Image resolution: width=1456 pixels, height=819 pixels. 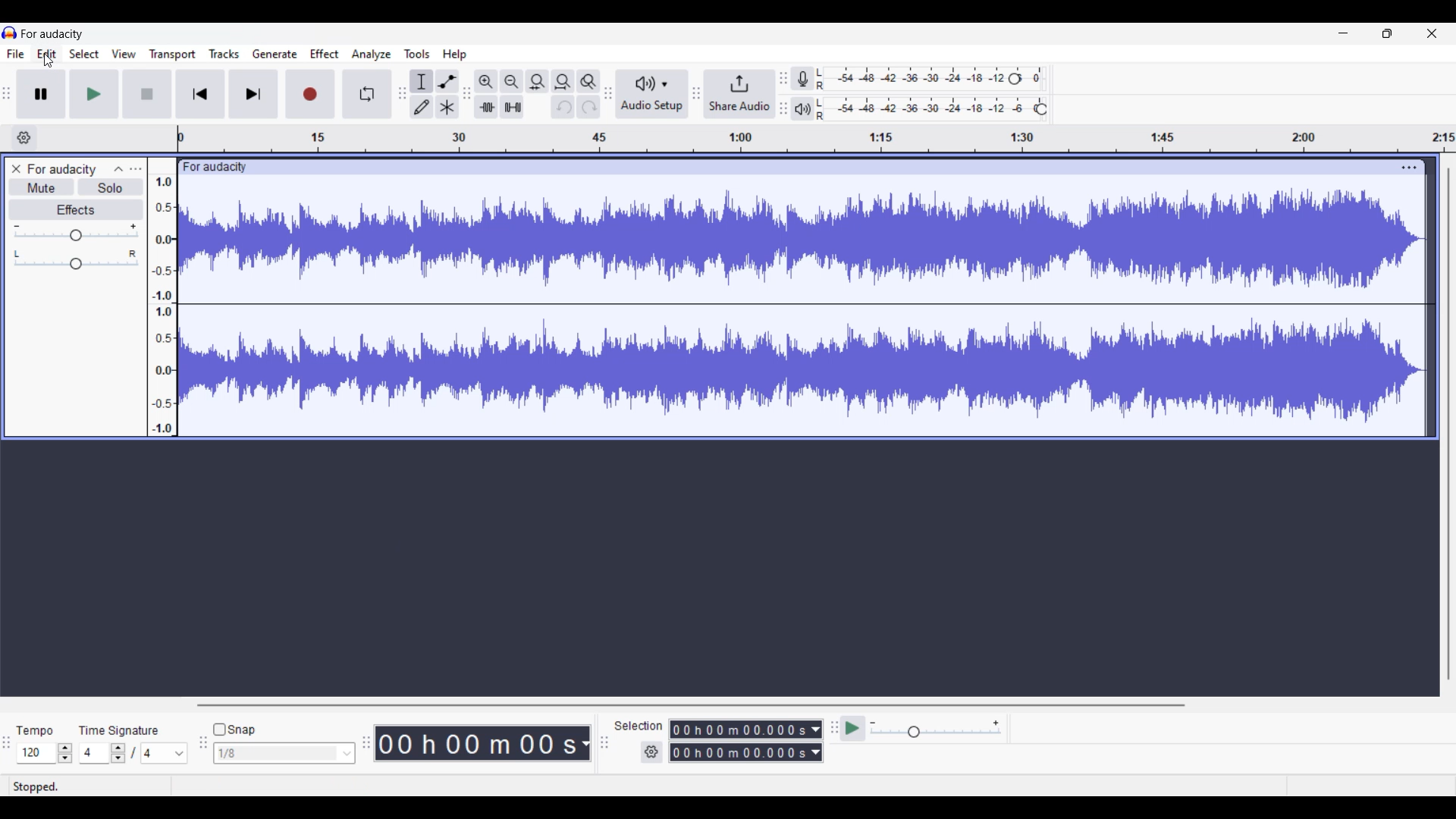 I want to click on audacity, so click(x=212, y=168).